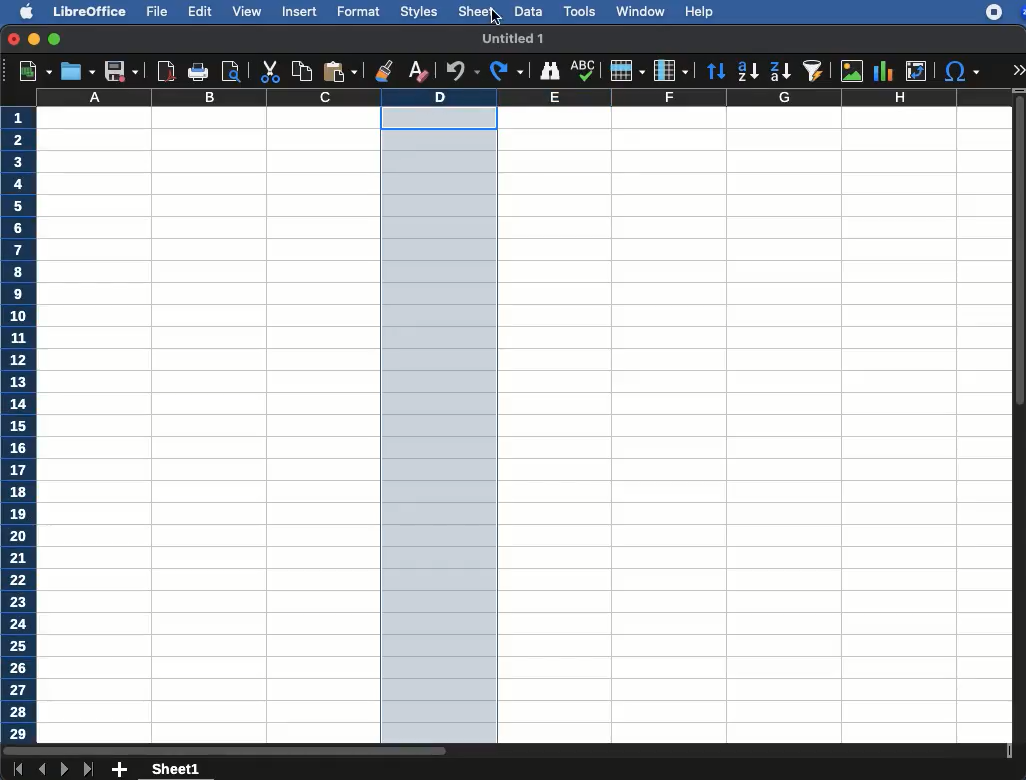 This screenshot has height=780, width=1026. What do you see at coordinates (17, 770) in the screenshot?
I see `first sheet` at bounding box center [17, 770].